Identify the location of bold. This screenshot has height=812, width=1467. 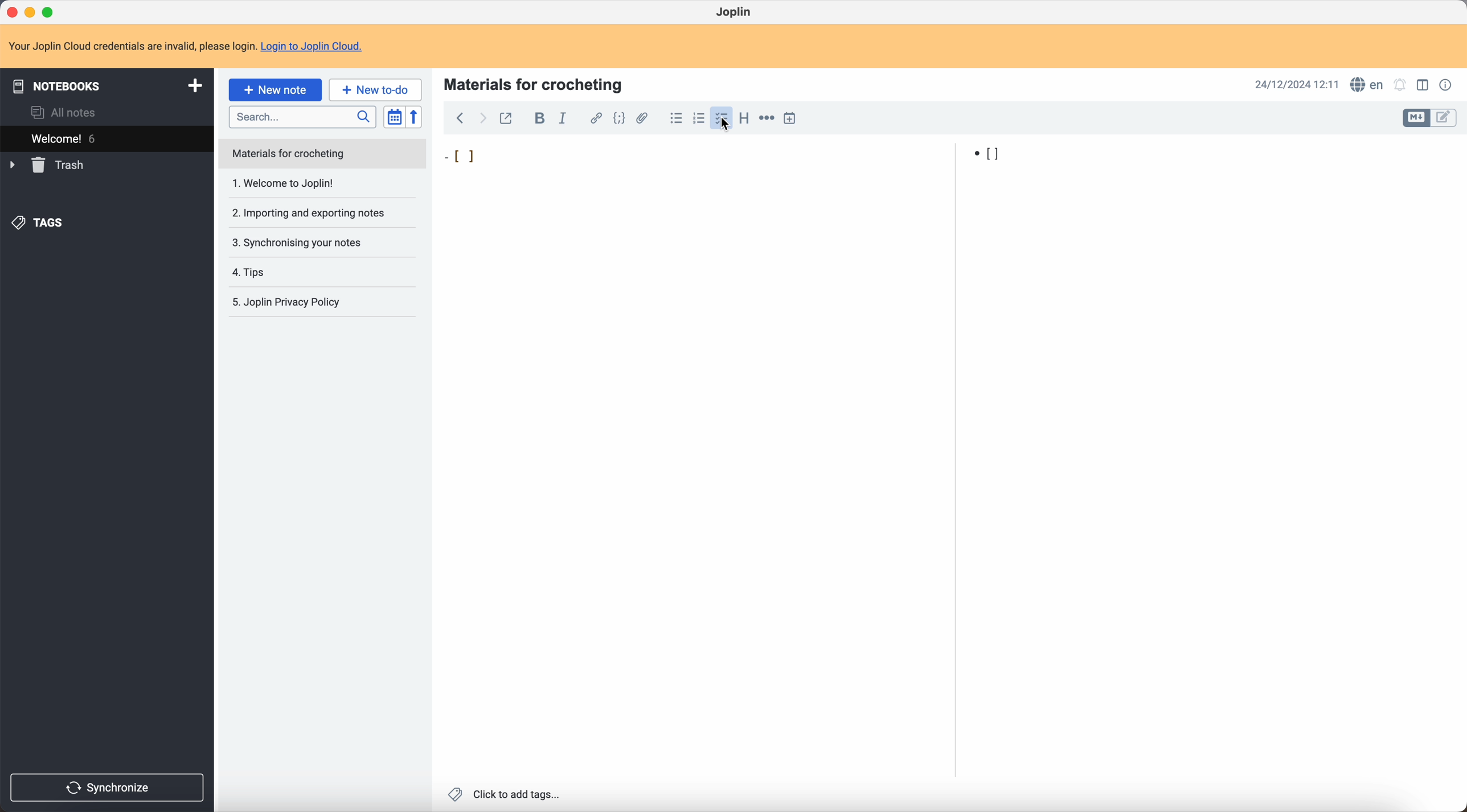
(536, 118).